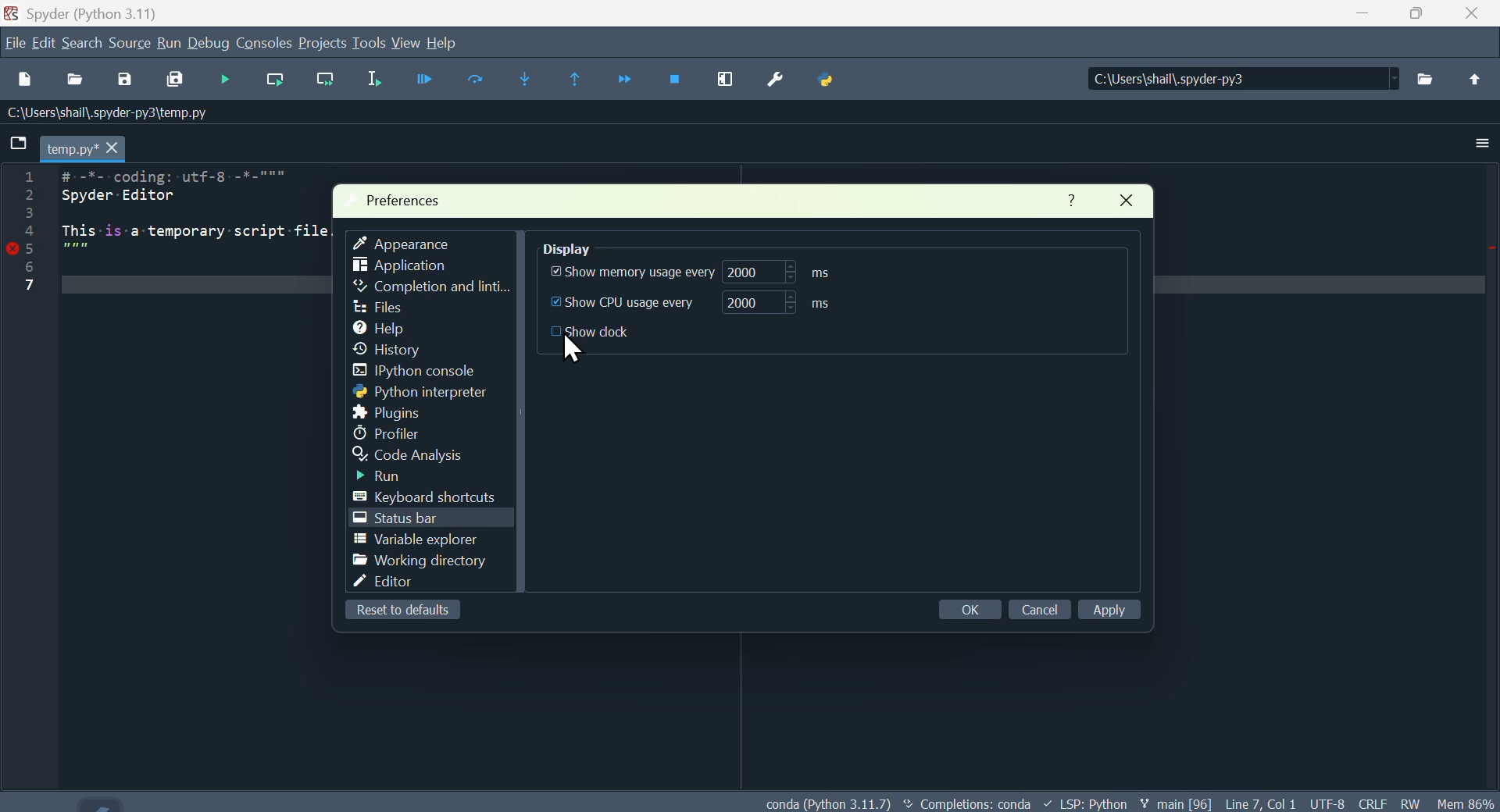  I want to click on Run current line and go to the next one, so click(326, 77).